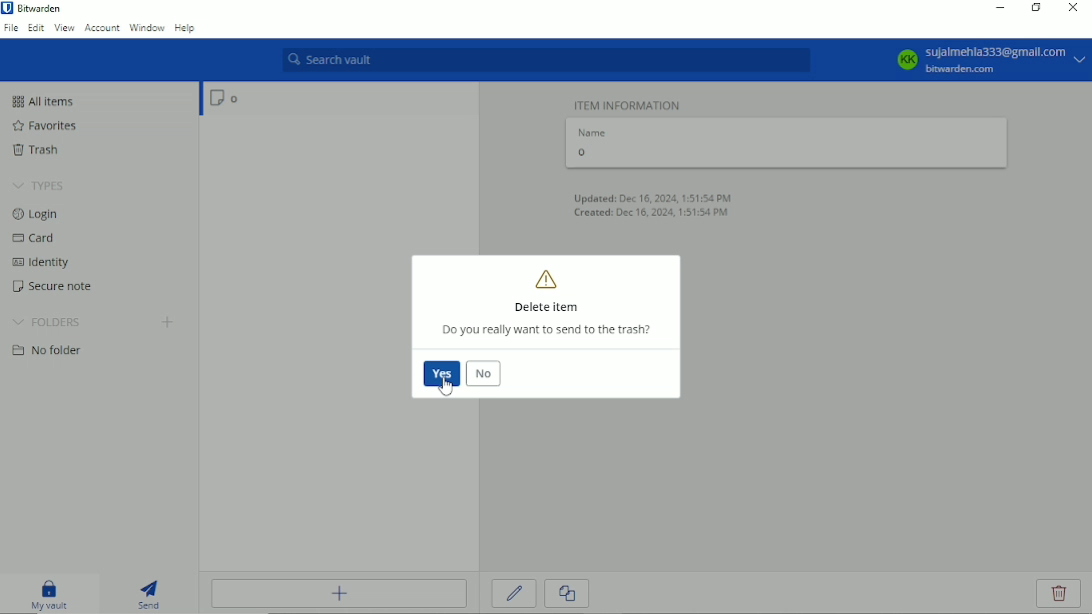 The height and width of the screenshot is (614, 1092). What do you see at coordinates (653, 214) in the screenshot?
I see `Created: Dec 16, 2024, 1:51:54 PM` at bounding box center [653, 214].